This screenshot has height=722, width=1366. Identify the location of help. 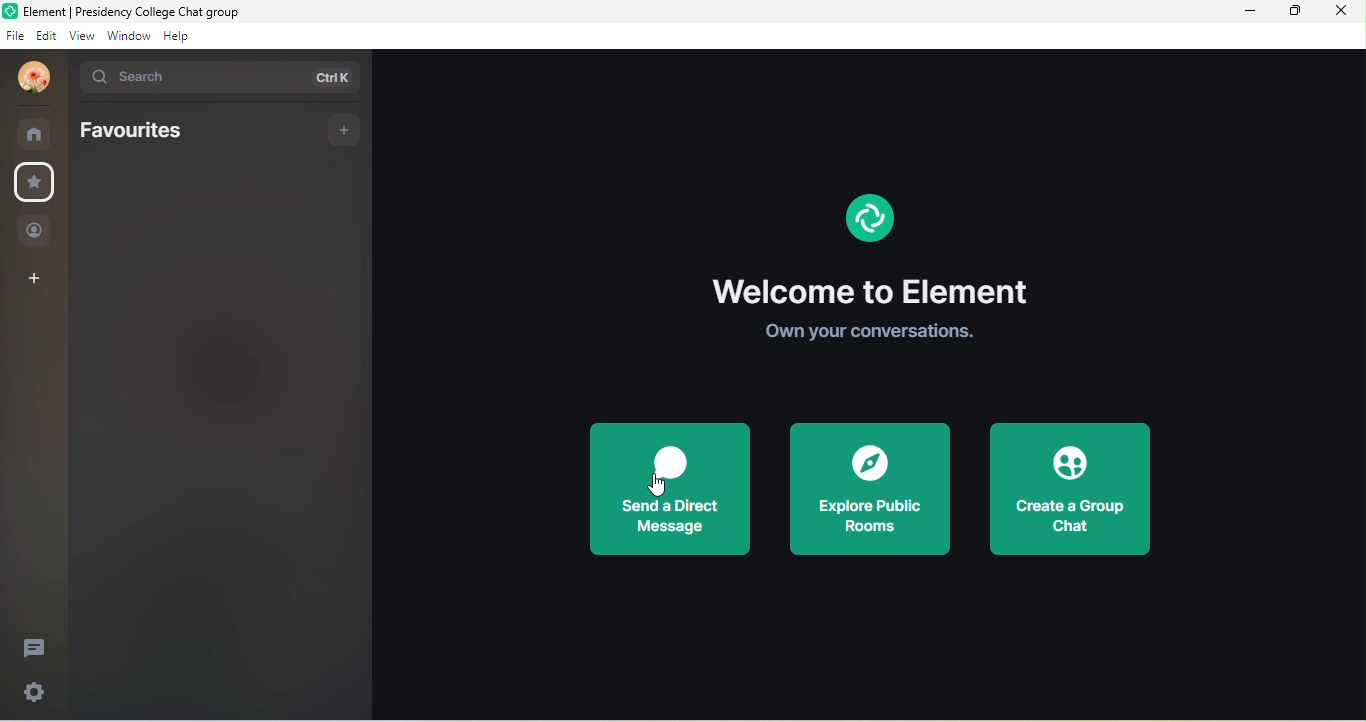
(183, 36).